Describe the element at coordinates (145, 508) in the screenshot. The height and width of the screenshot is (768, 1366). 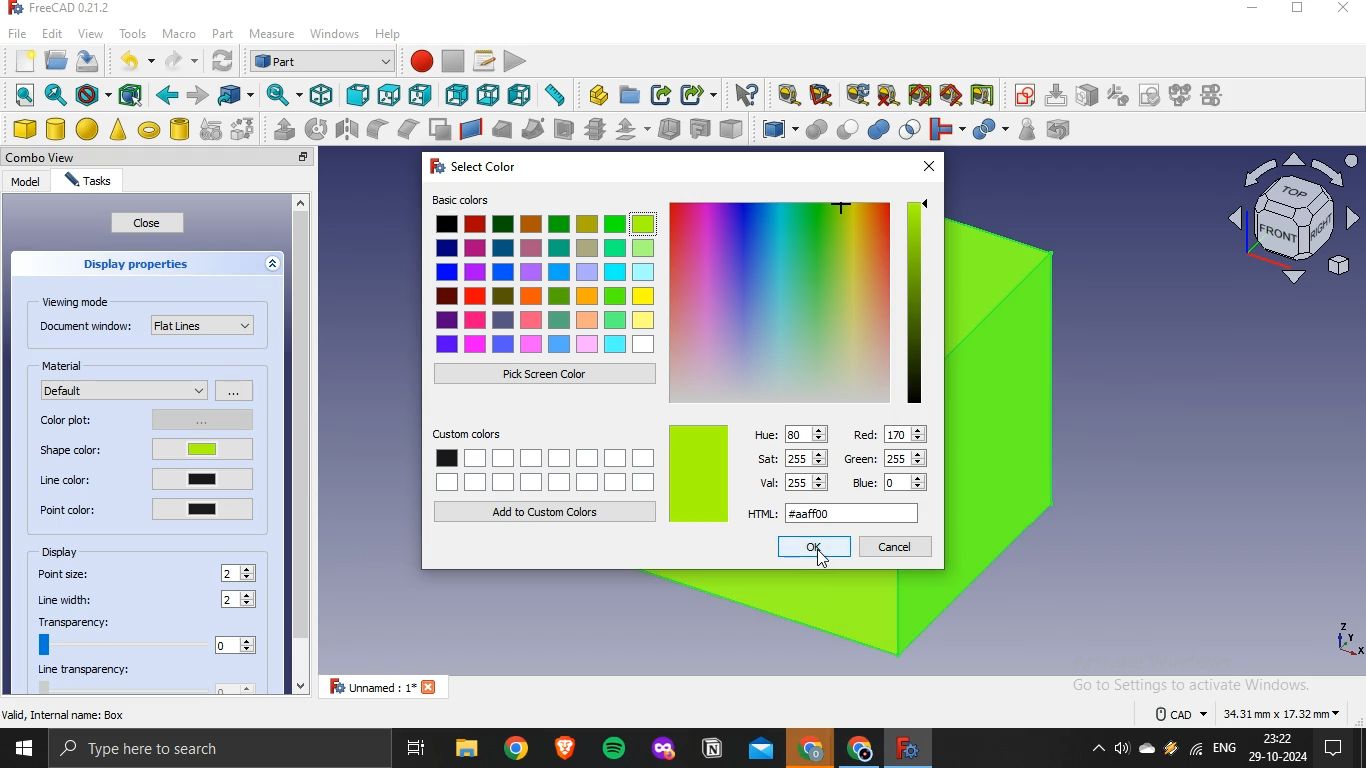
I see `point color` at that location.